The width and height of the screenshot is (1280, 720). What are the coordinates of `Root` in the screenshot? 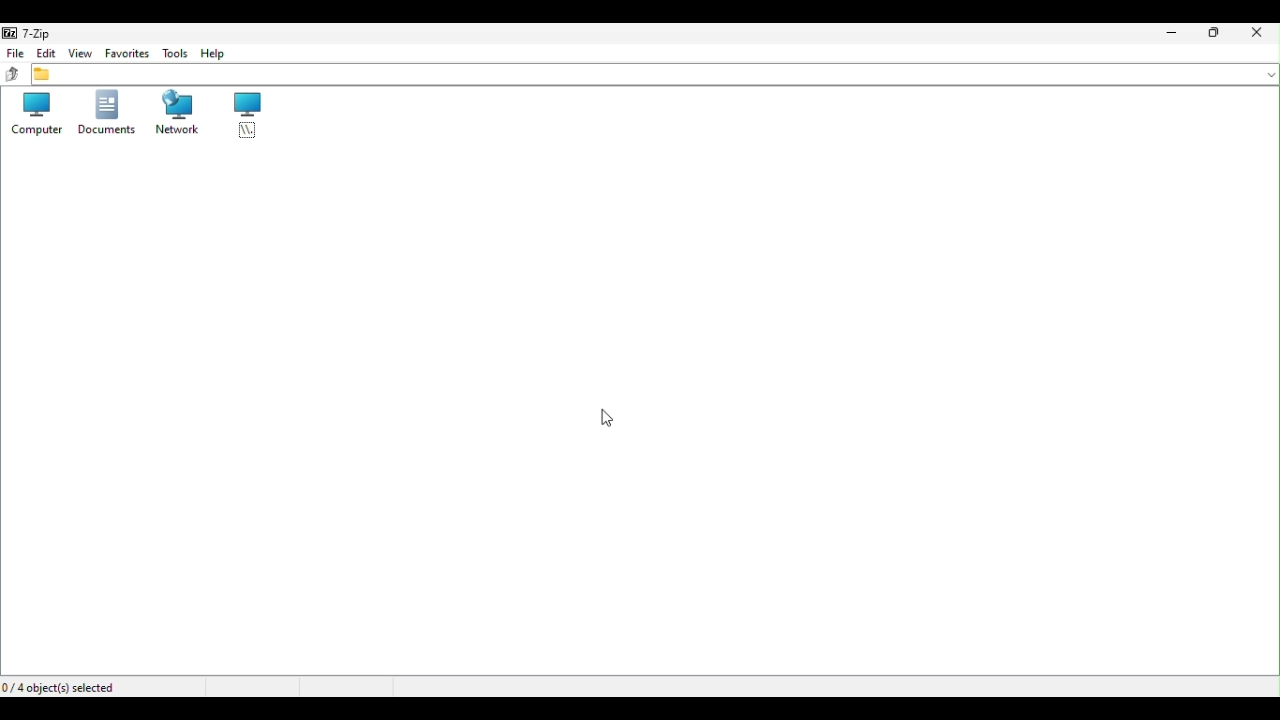 It's located at (247, 116).